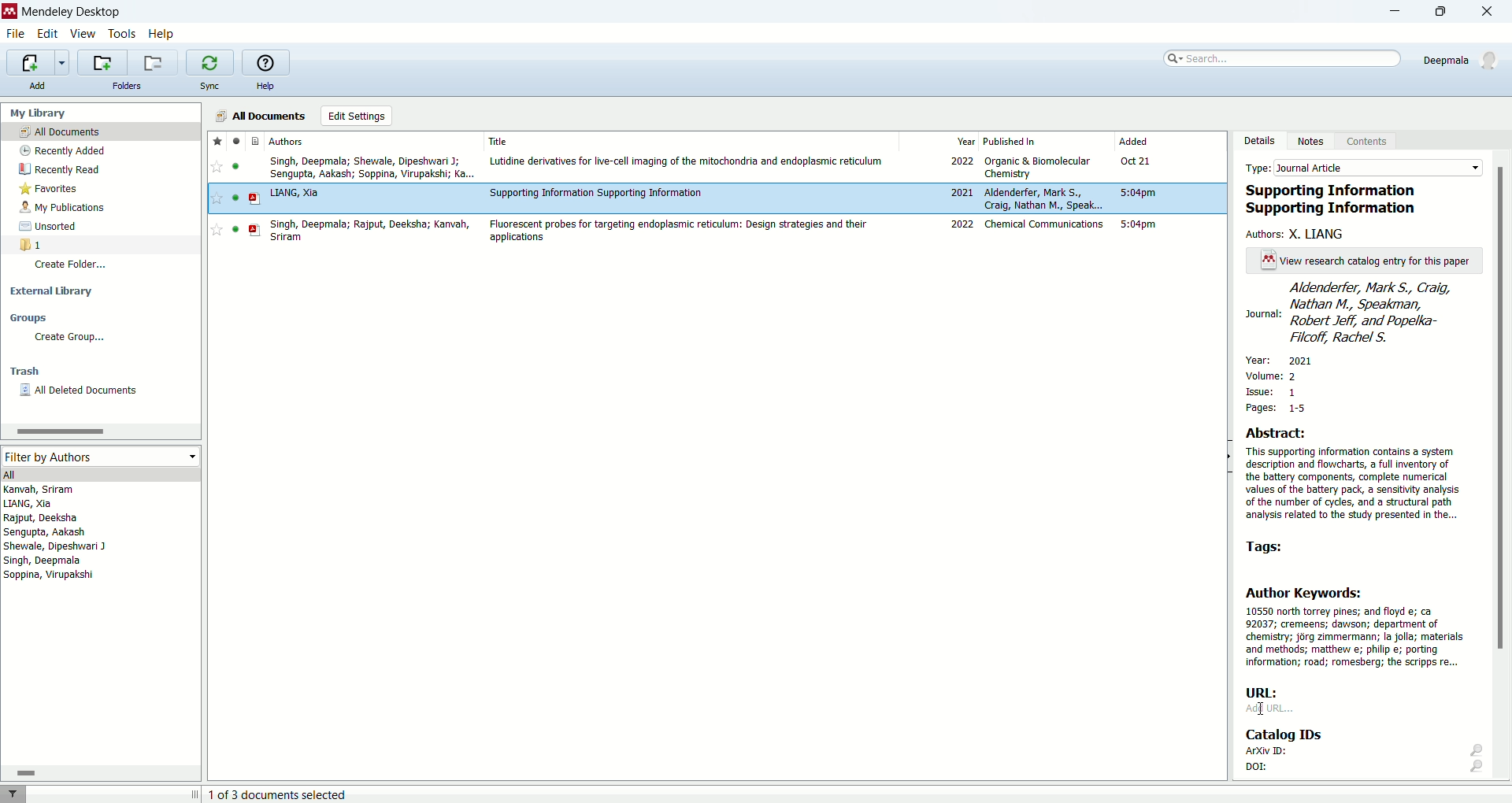 This screenshot has width=1512, height=803. Describe the element at coordinates (1273, 392) in the screenshot. I see `issue: 1` at that location.